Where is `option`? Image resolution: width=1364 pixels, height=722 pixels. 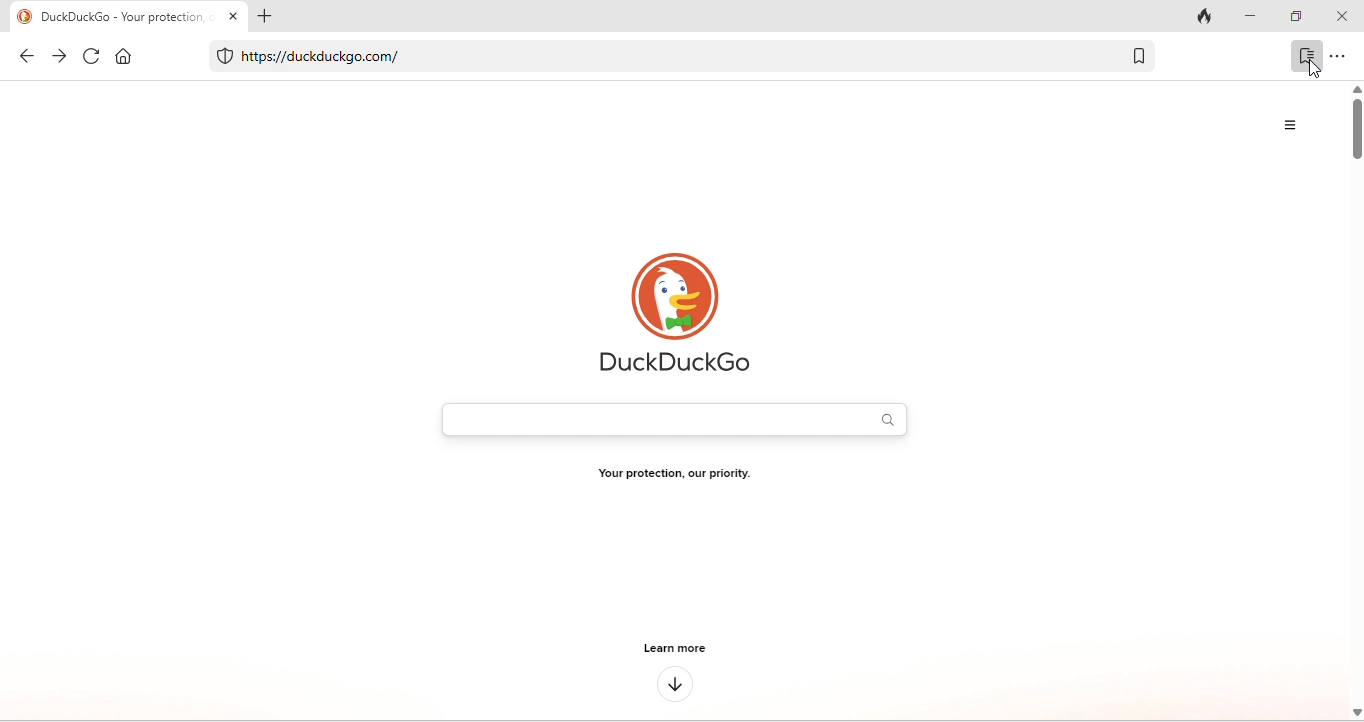 option is located at coordinates (1339, 56).